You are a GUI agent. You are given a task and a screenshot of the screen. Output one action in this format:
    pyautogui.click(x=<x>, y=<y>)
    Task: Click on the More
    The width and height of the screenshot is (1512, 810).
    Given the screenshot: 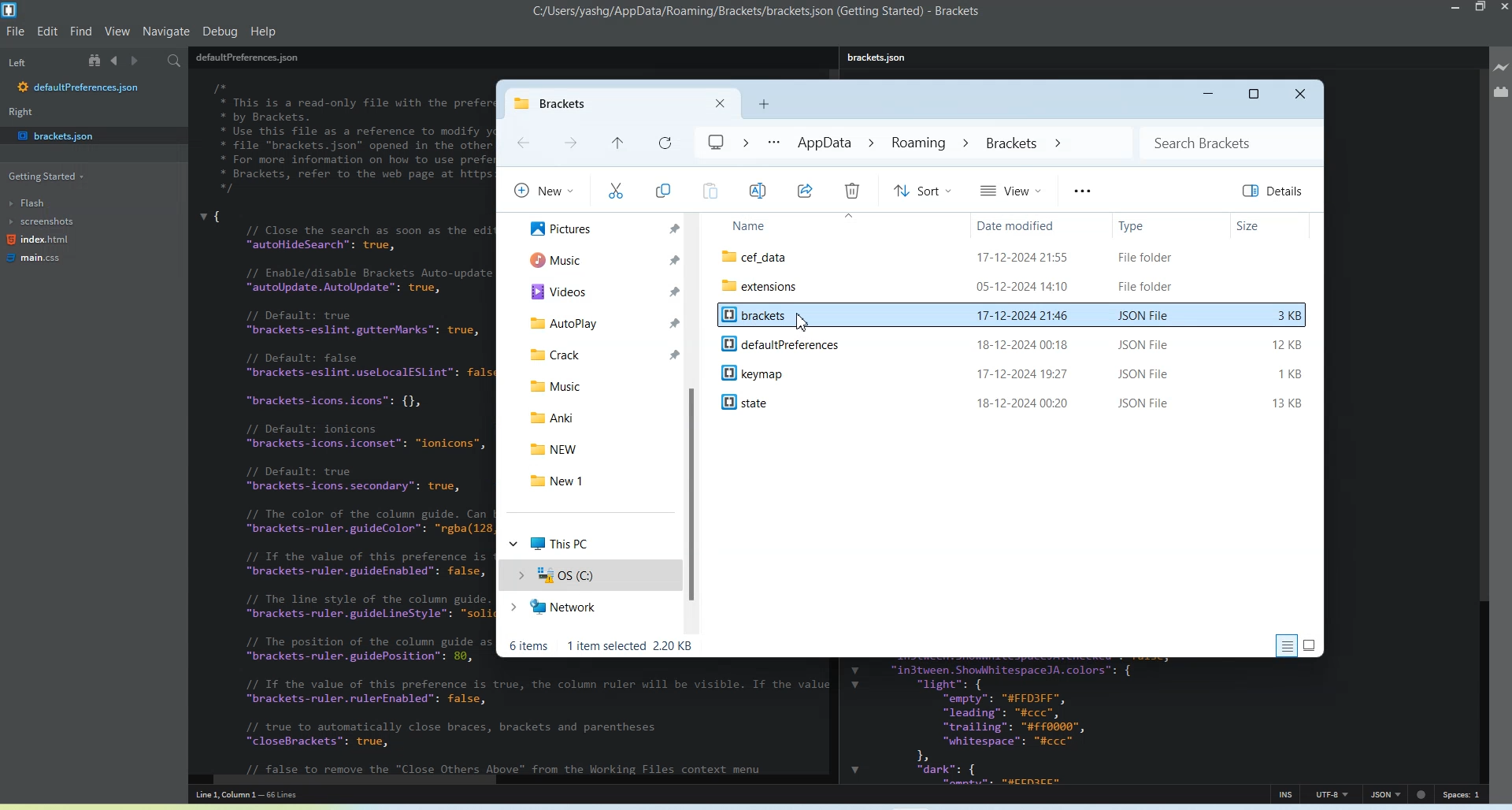 What is the action you would take?
    pyautogui.click(x=1081, y=191)
    